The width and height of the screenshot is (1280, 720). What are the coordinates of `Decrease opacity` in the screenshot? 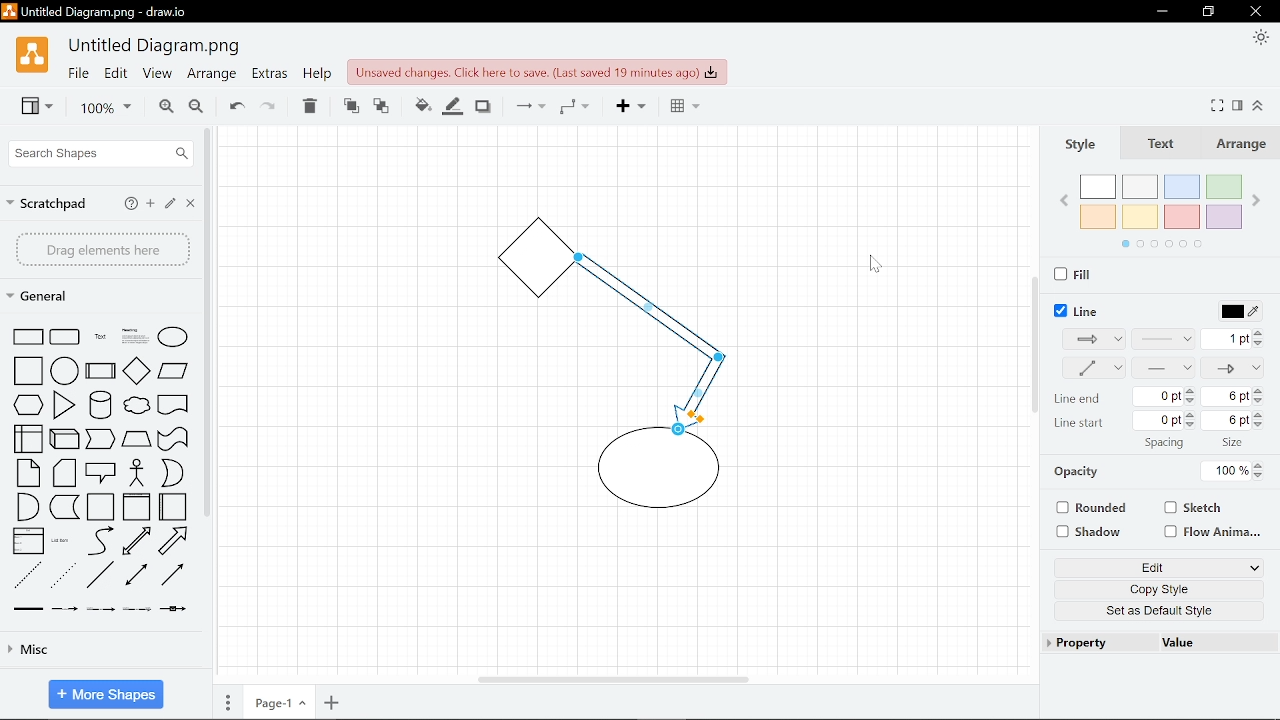 It's located at (1262, 474).